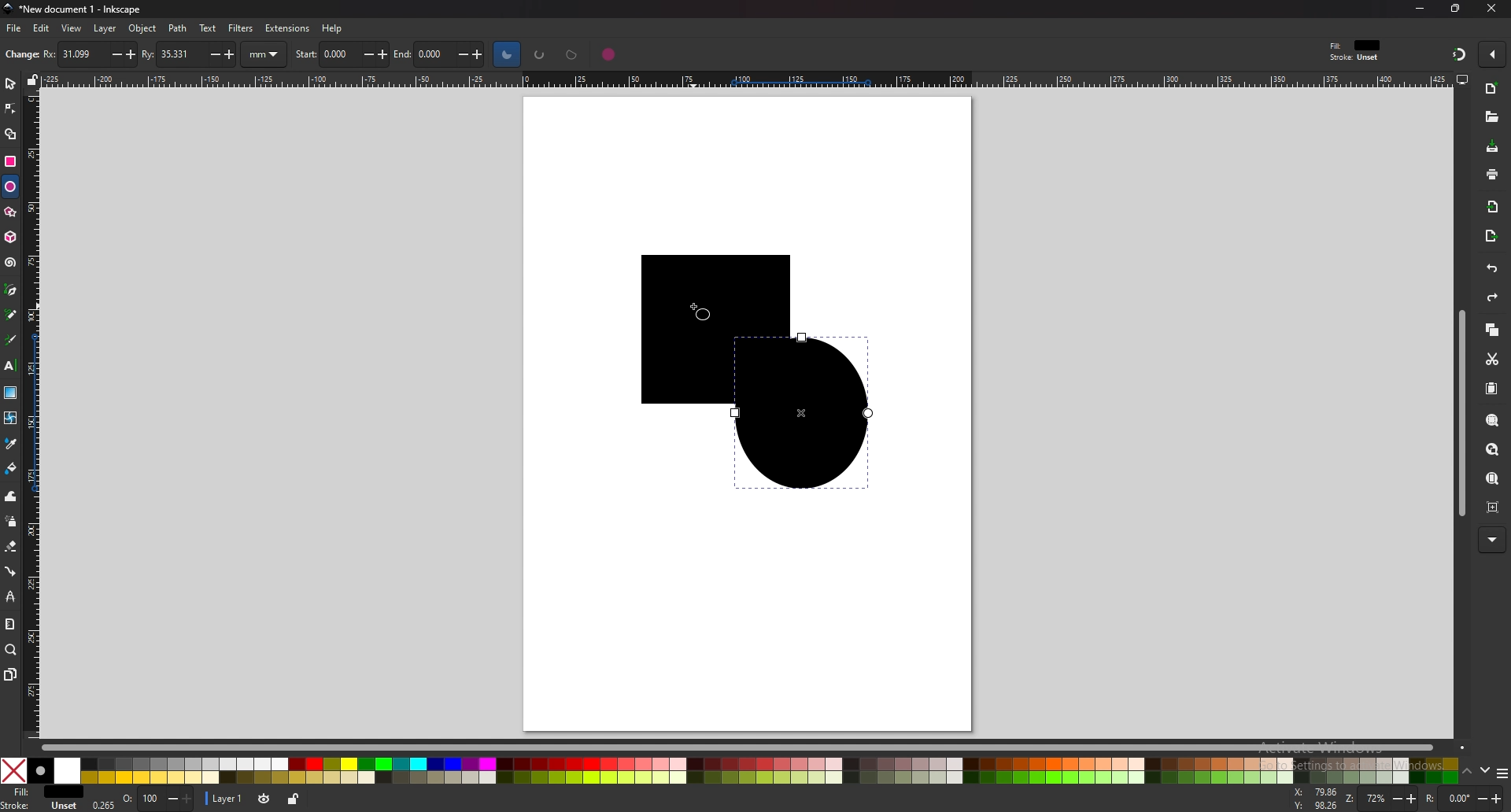 The width and height of the screenshot is (1511, 812). Describe the element at coordinates (11, 160) in the screenshot. I see `rectangle` at that location.